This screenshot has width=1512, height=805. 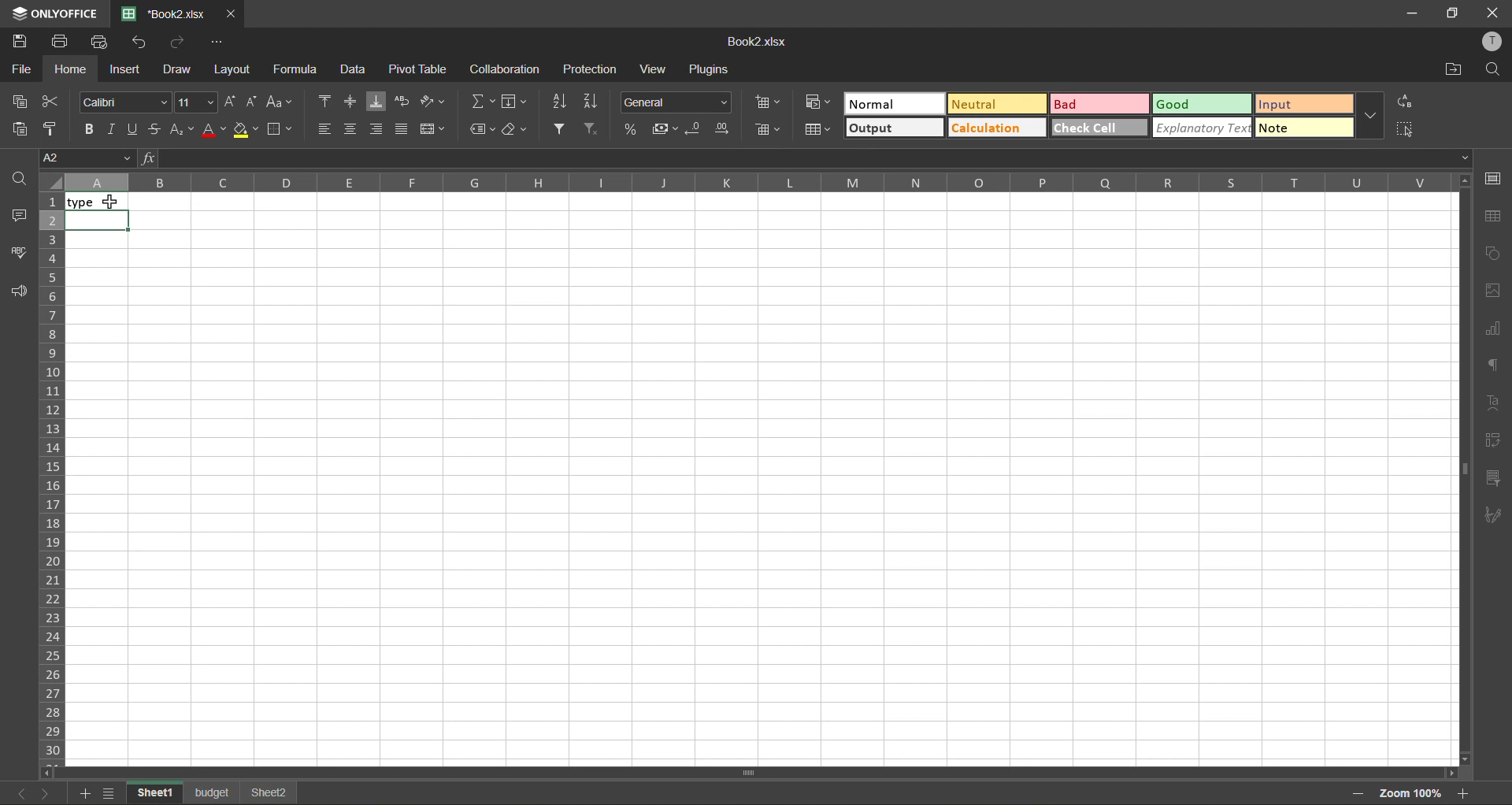 I want to click on fields, so click(x=514, y=104).